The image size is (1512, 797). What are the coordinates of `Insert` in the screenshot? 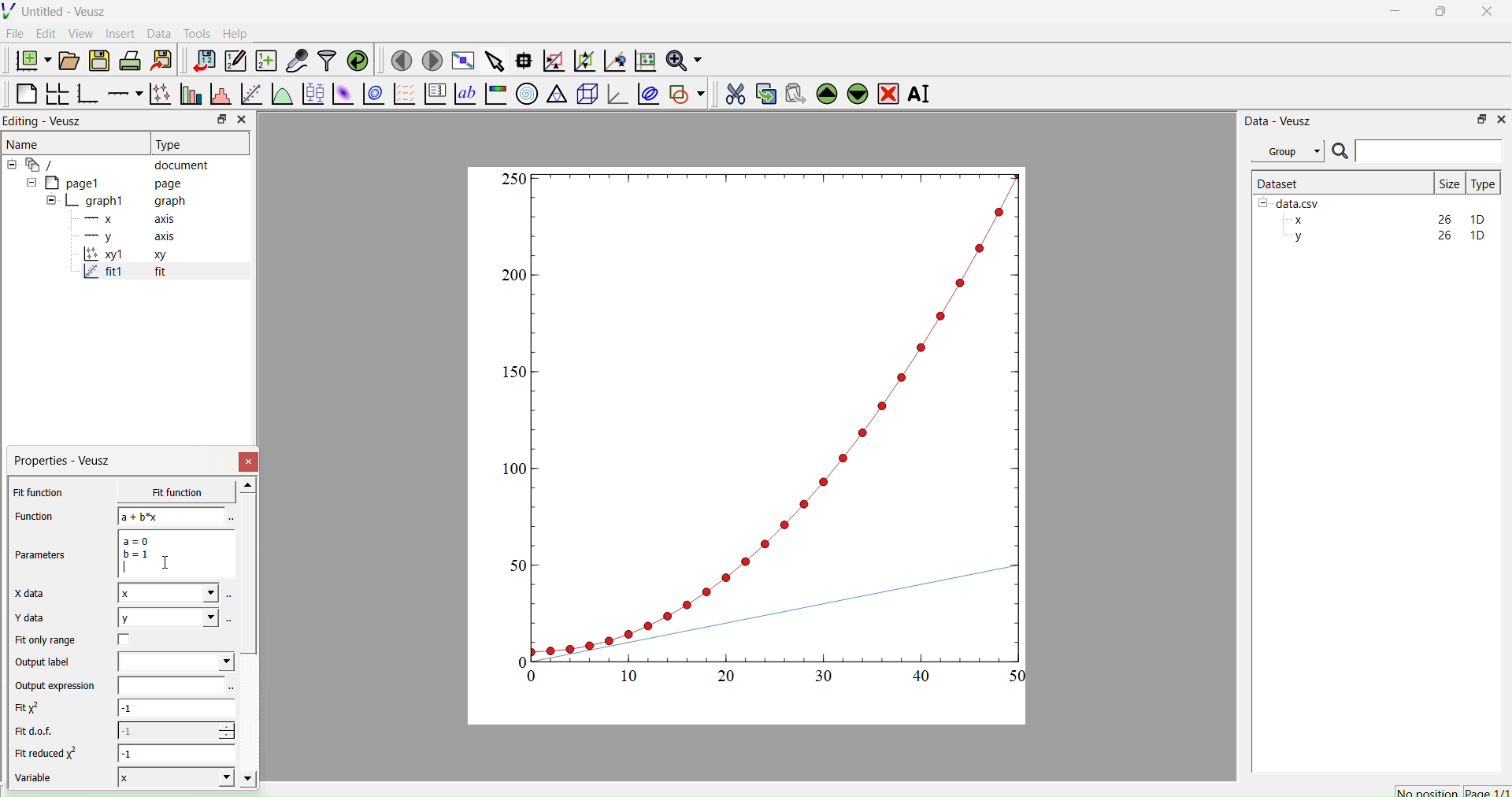 It's located at (123, 33).